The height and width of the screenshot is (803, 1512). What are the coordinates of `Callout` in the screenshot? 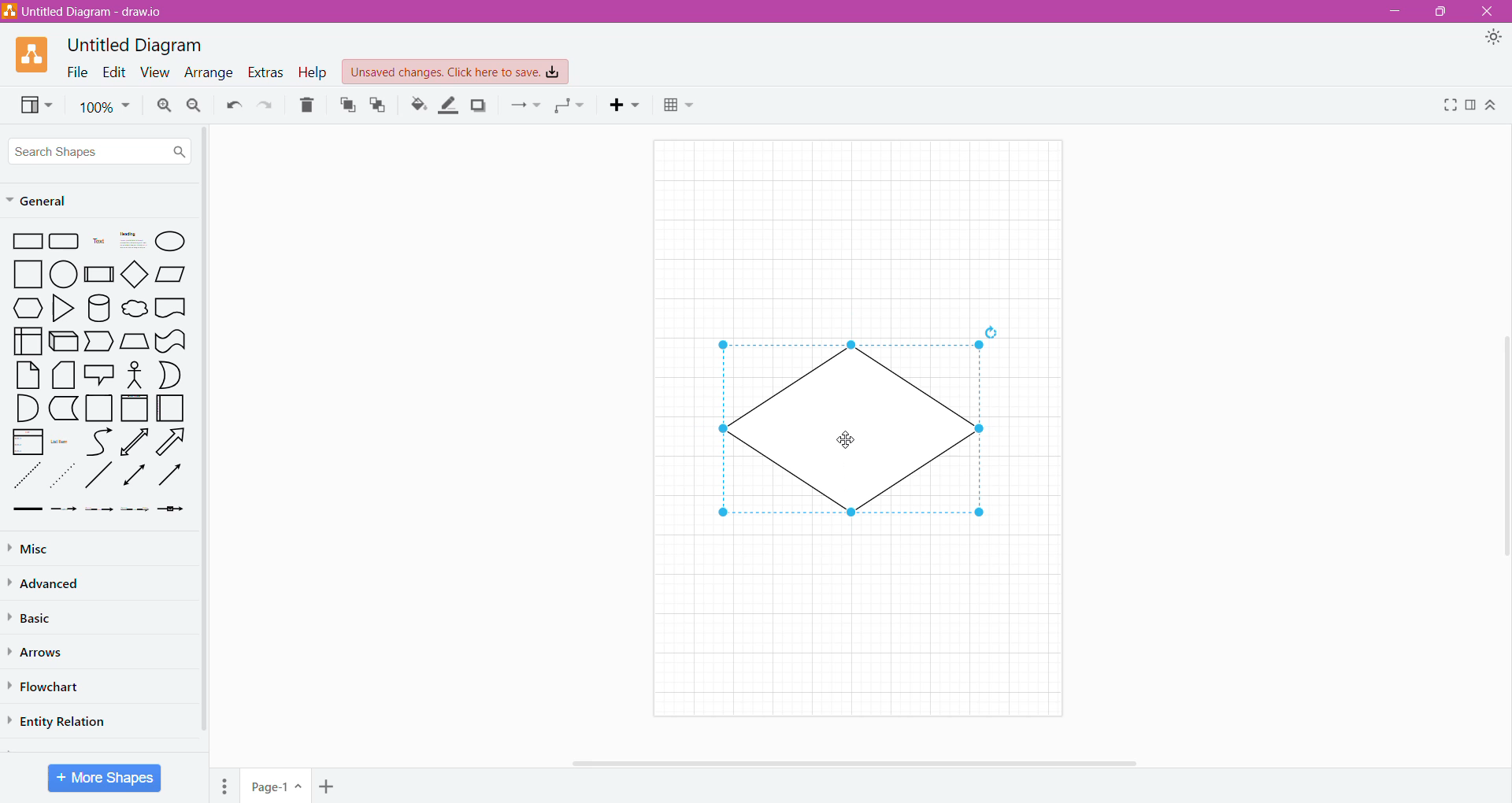 It's located at (98, 376).